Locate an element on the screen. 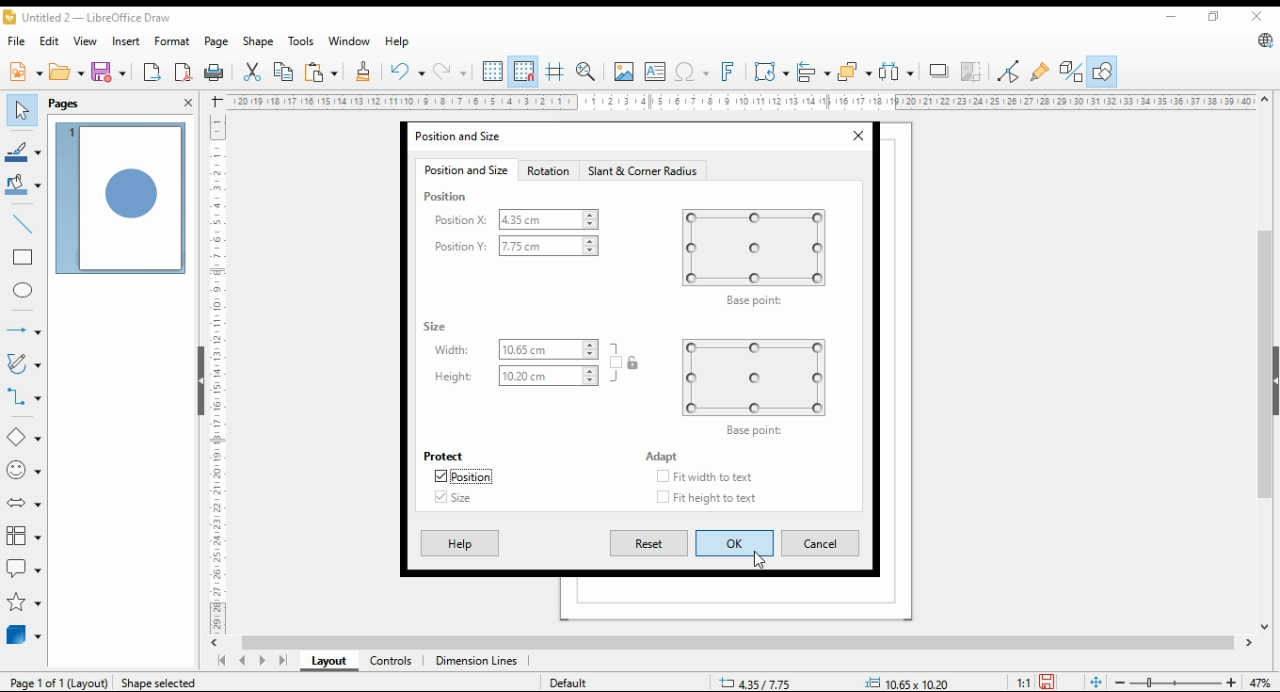 The width and height of the screenshot is (1280, 692). layout is located at coordinates (328, 661).